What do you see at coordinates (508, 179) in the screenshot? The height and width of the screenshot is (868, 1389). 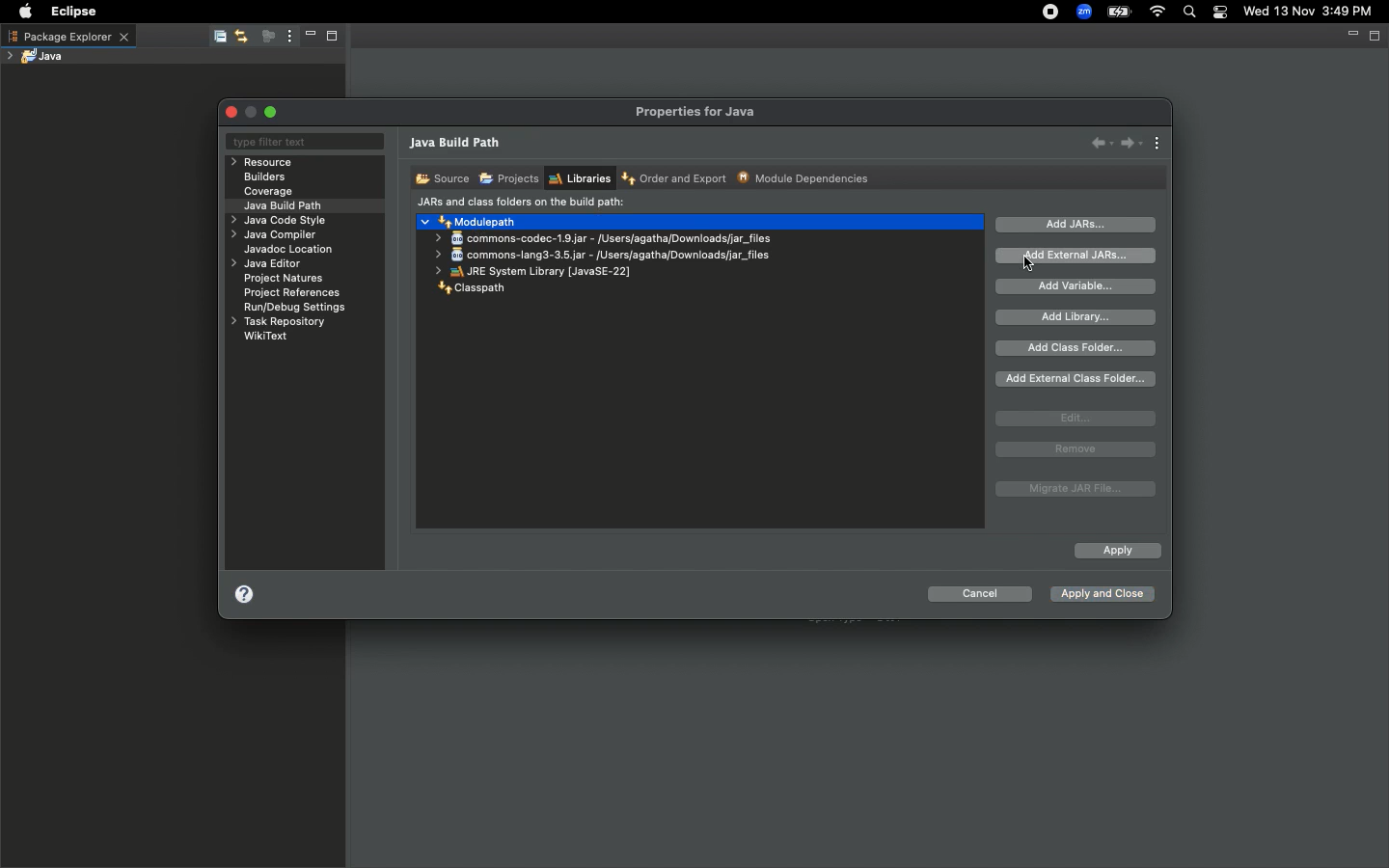 I see `Projects` at bounding box center [508, 179].